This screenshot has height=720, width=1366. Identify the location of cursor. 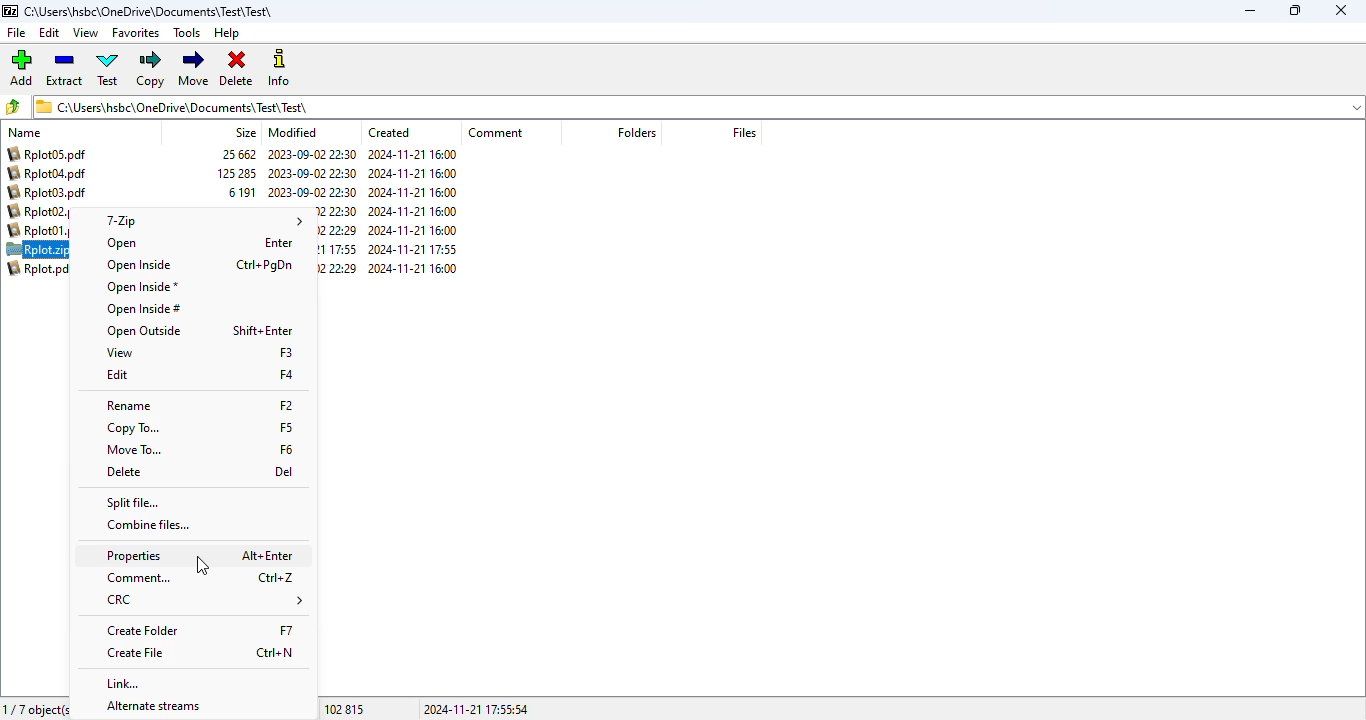
(203, 566).